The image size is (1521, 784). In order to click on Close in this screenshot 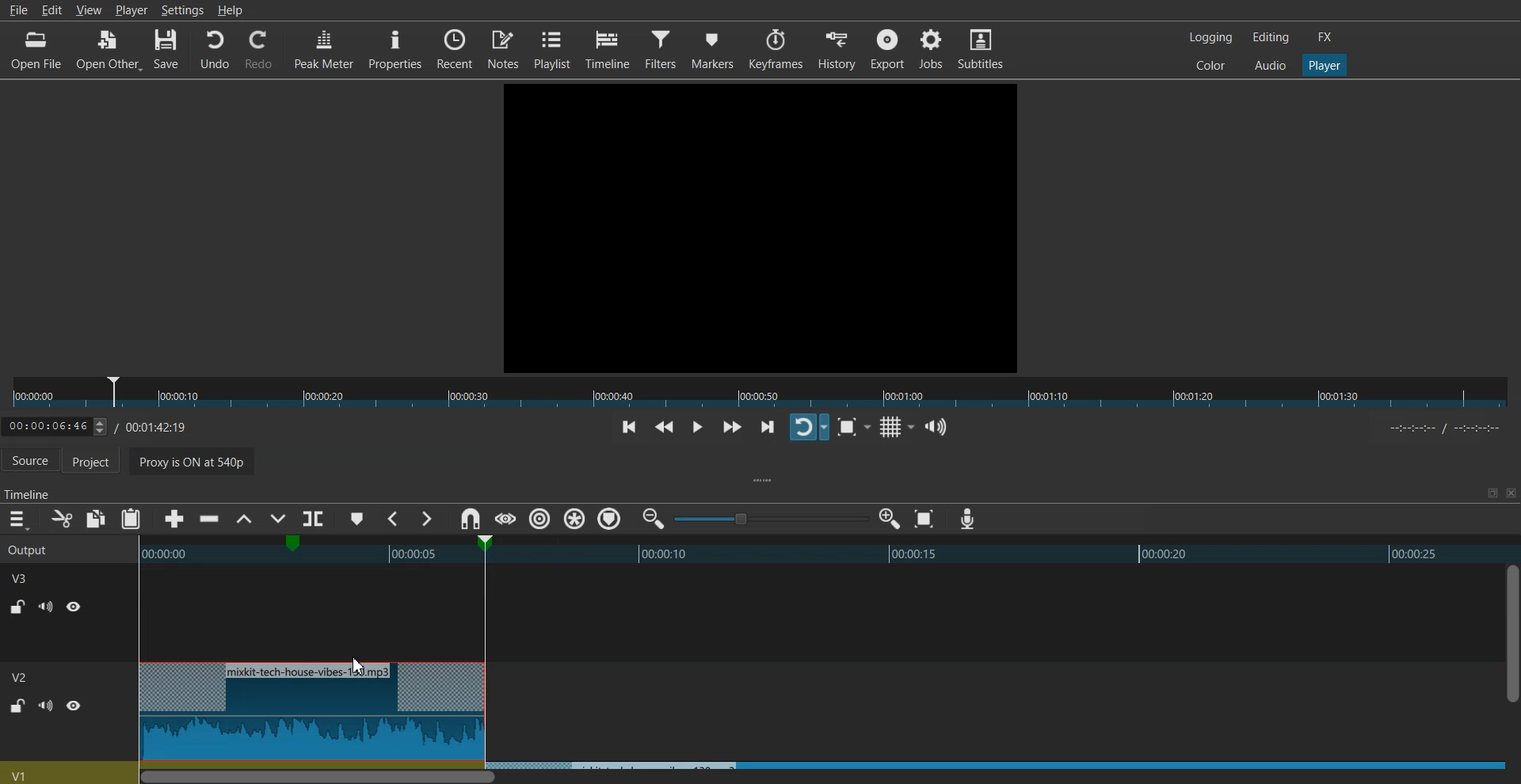, I will do `click(1509, 493)`.